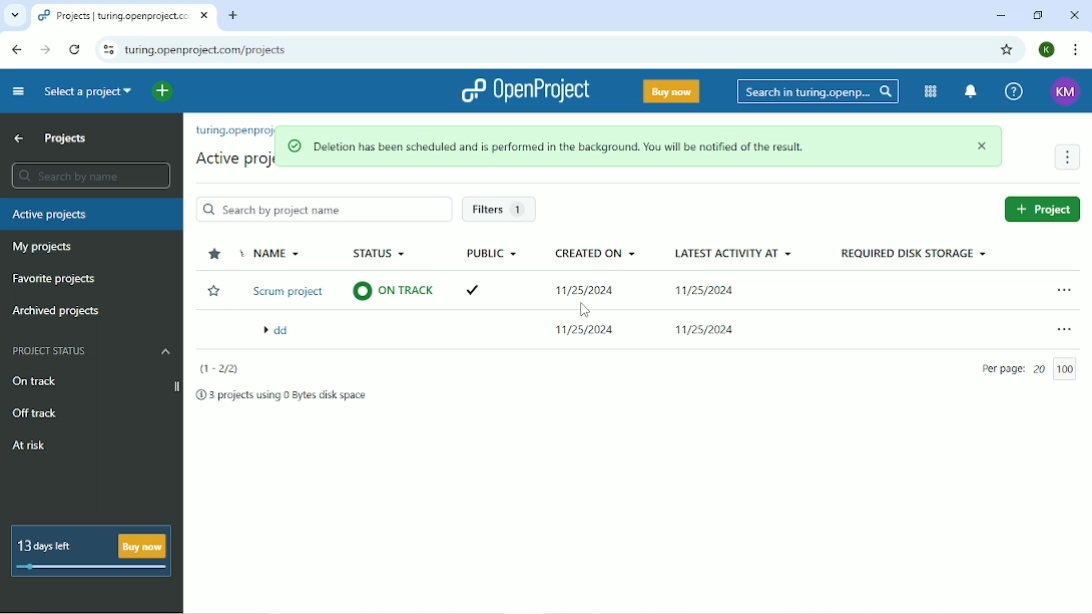 This screenshot has width=1092, height=614. What do you see at coordinates (89, 176) in the screenshot?
I see `Search by name` at bounding box center [89, 176].